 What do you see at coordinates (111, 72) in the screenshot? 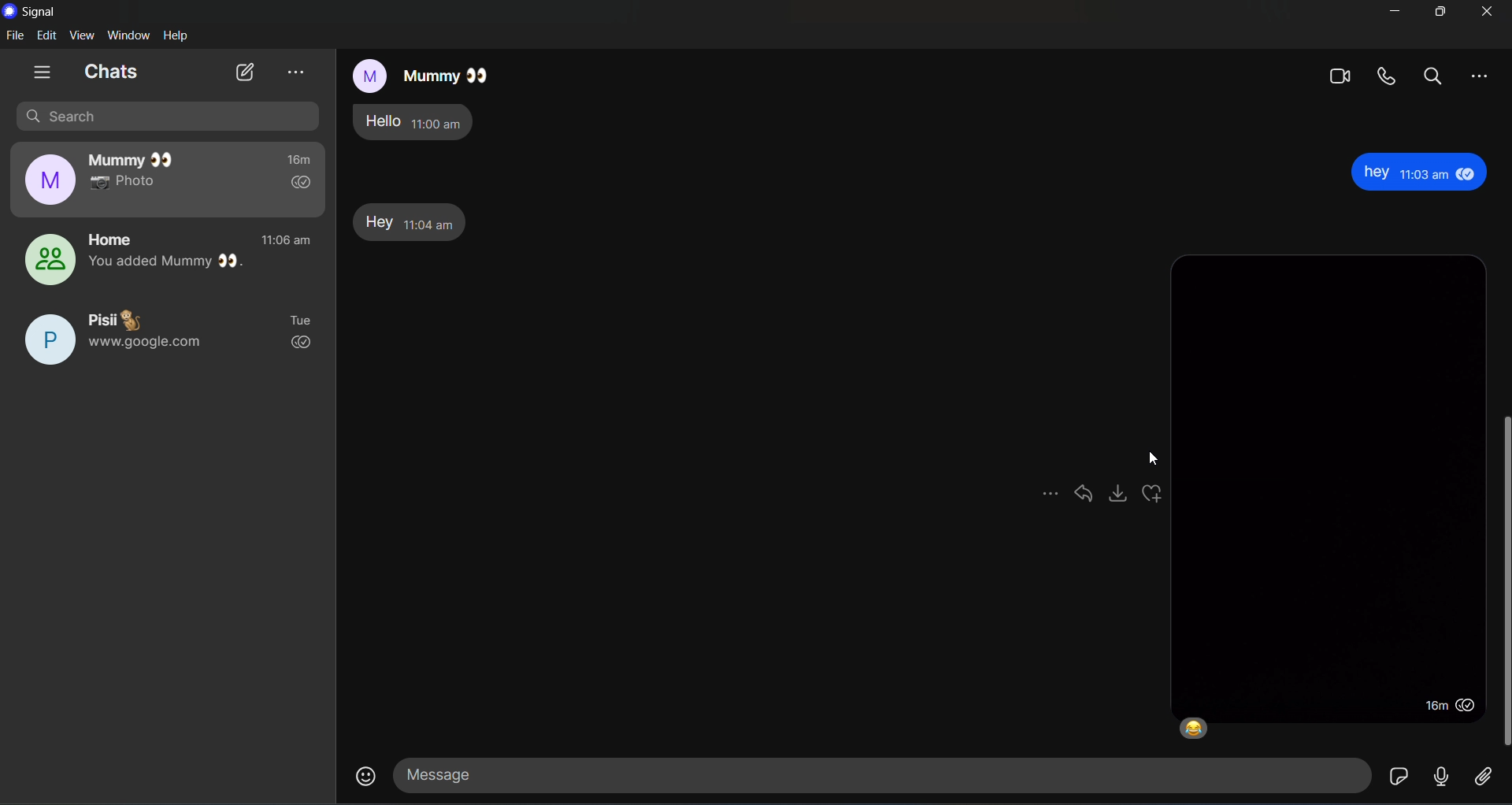
I see `chats` at bounding box center [111, 72].